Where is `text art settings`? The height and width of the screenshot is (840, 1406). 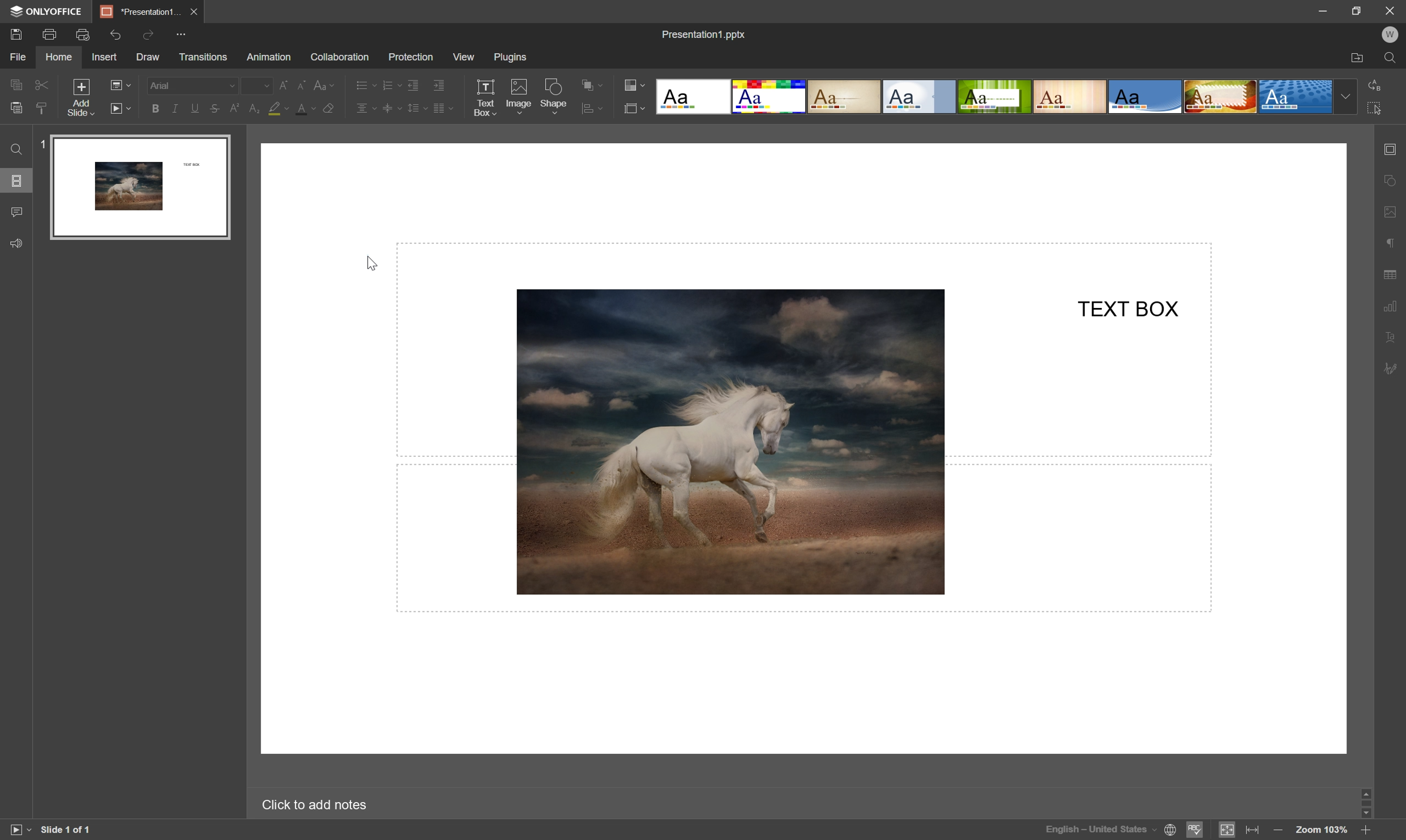 text art settings is located at coordinates (1388, 336).